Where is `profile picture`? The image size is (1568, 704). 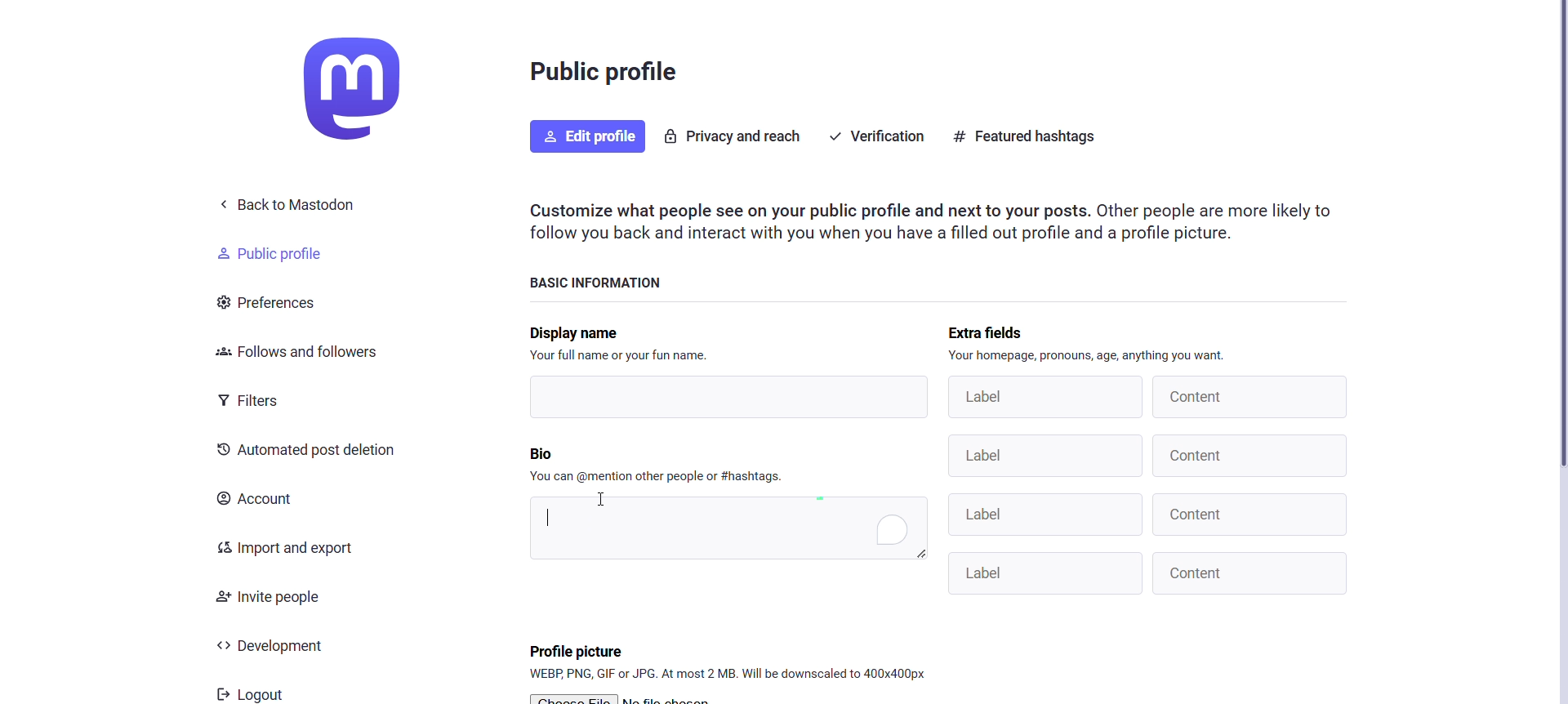
profile picture is located at coordinates (579, 649).